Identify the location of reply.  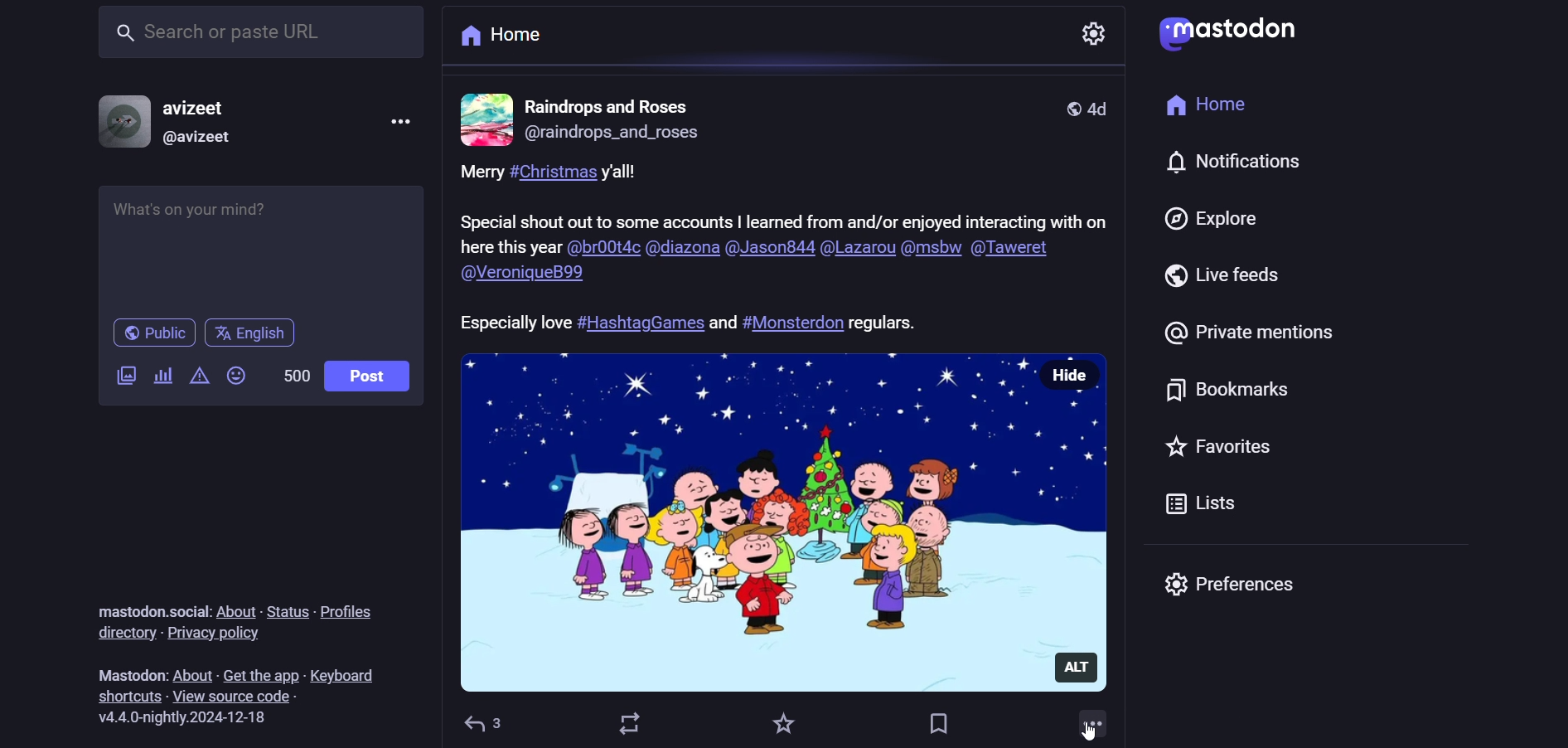
(487, 719).